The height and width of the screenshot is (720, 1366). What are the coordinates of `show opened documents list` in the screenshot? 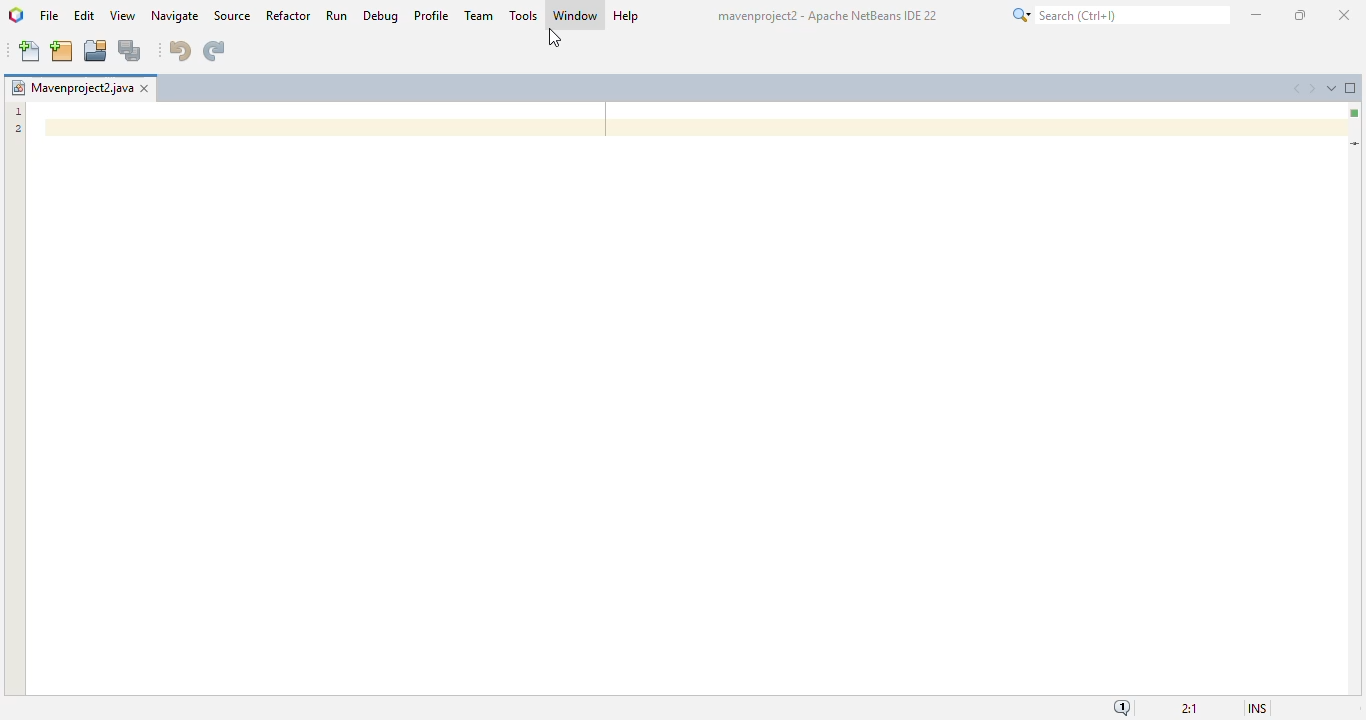 It's located at (1332, 87).